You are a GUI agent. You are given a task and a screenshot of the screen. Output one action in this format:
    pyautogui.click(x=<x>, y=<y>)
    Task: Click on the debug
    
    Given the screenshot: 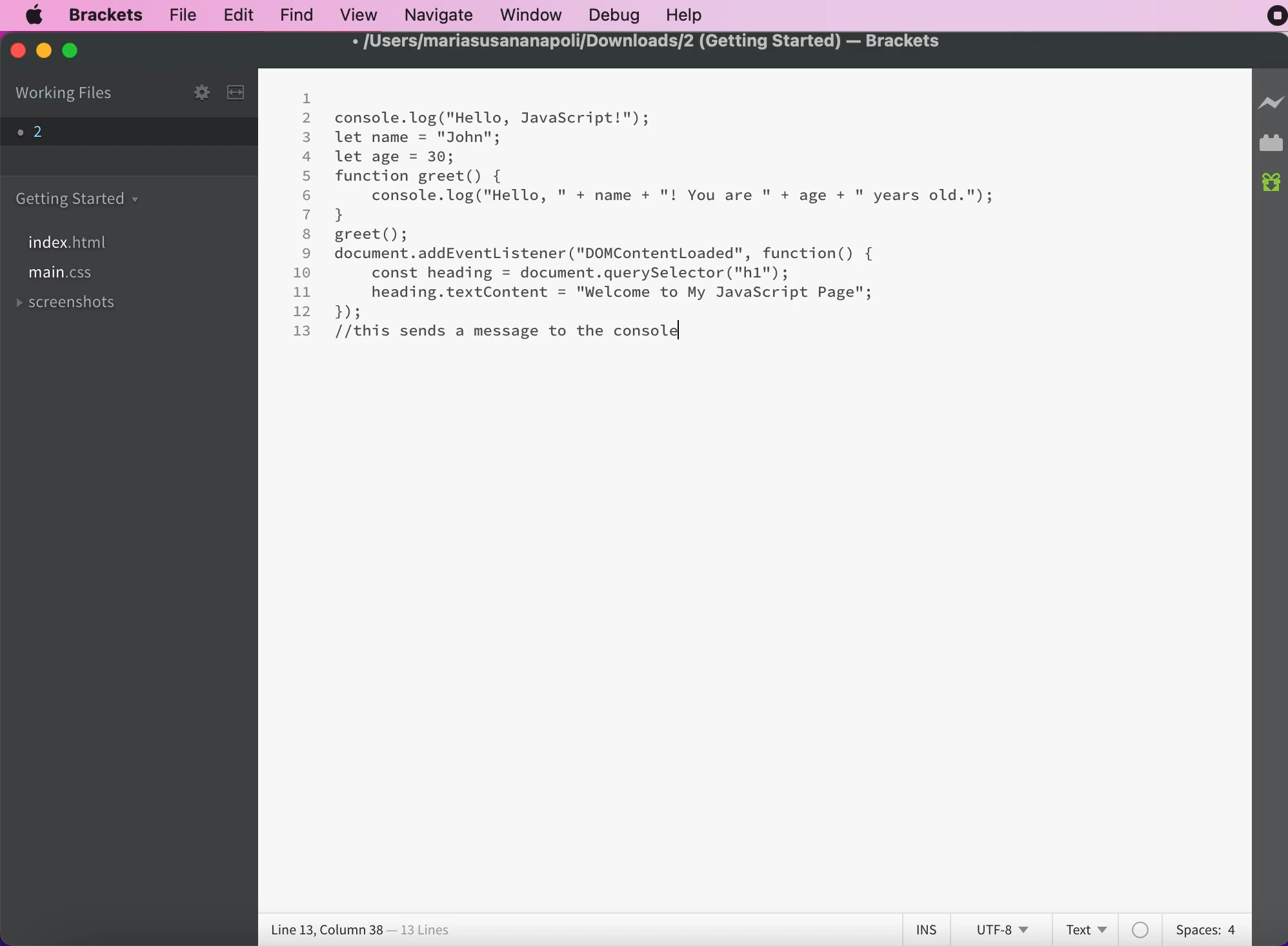 What is the action you would take?
    pyautogui.click(x=612, y=17)
    